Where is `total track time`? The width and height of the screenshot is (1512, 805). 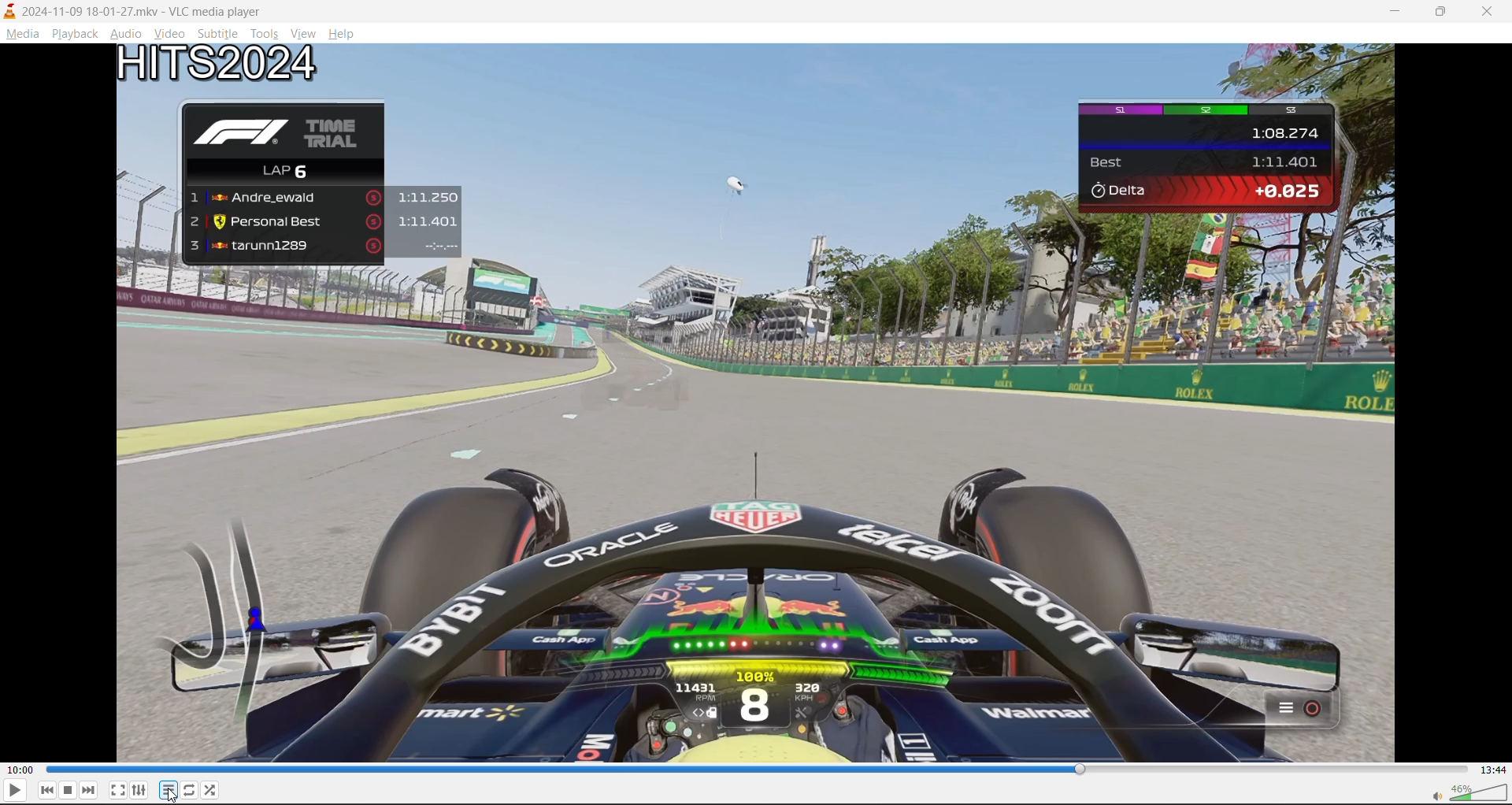
total track time is located at coordinates (1494, 770).